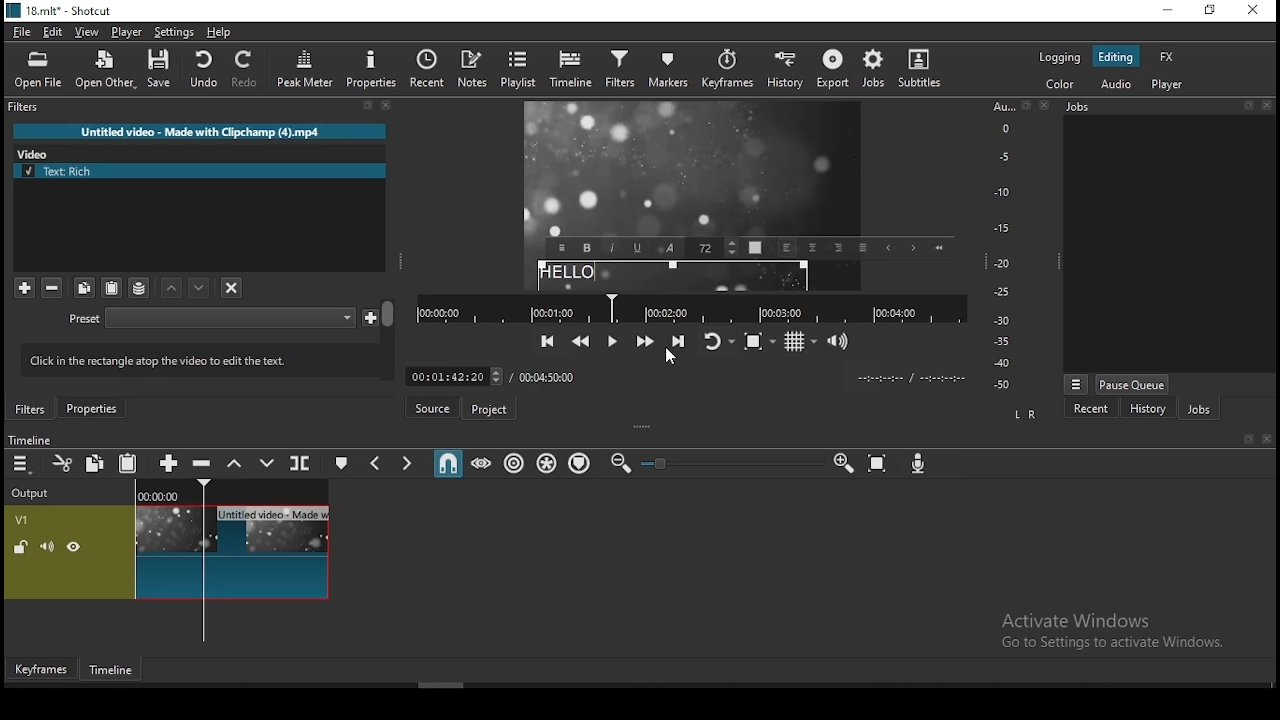 This screenshot has height=720, width=1280. Describe the element at coordinates (888, 248) in the screenshot. I see `Previous` at that location.